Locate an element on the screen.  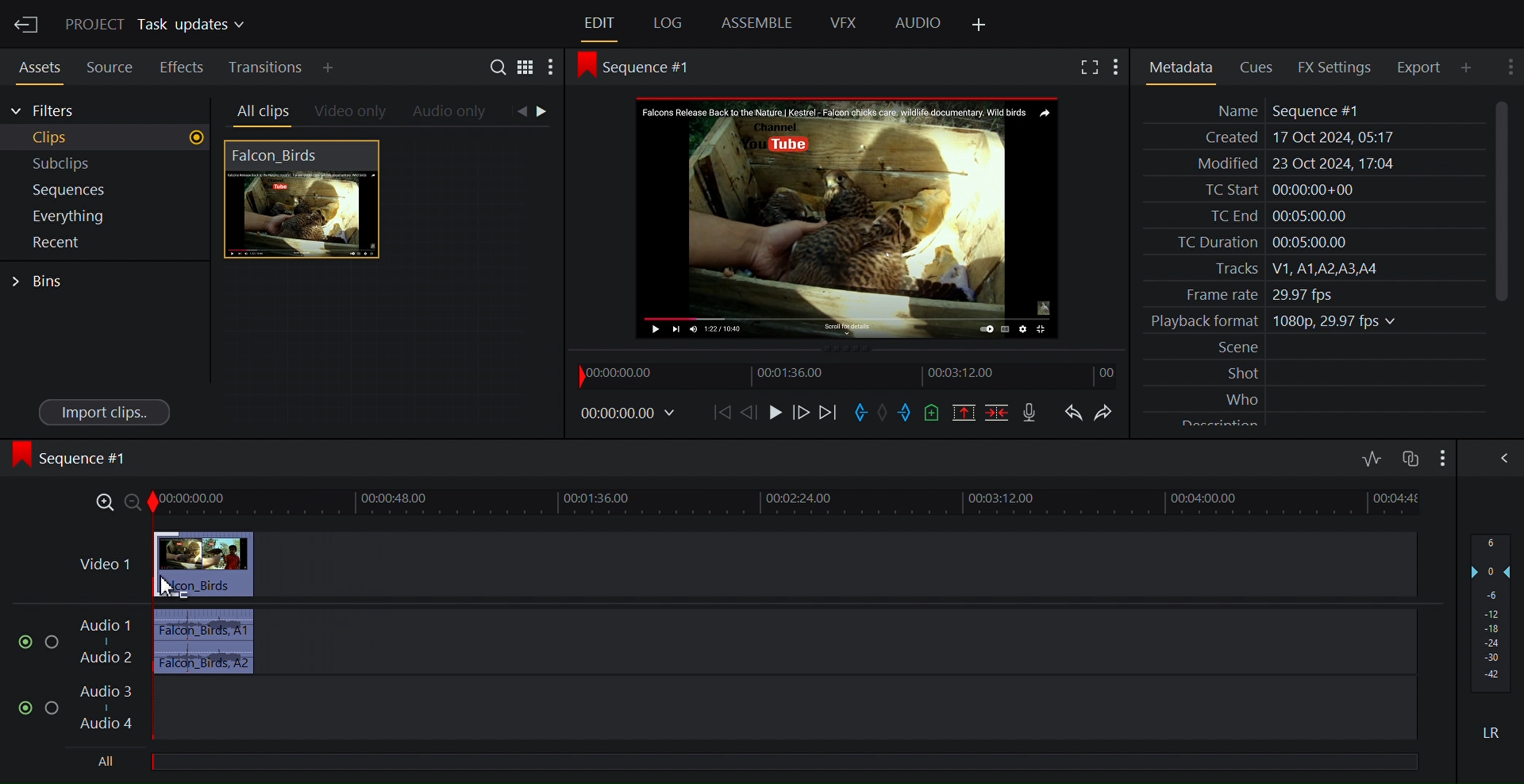
Delete/cut is located at coordinates (999, 413).